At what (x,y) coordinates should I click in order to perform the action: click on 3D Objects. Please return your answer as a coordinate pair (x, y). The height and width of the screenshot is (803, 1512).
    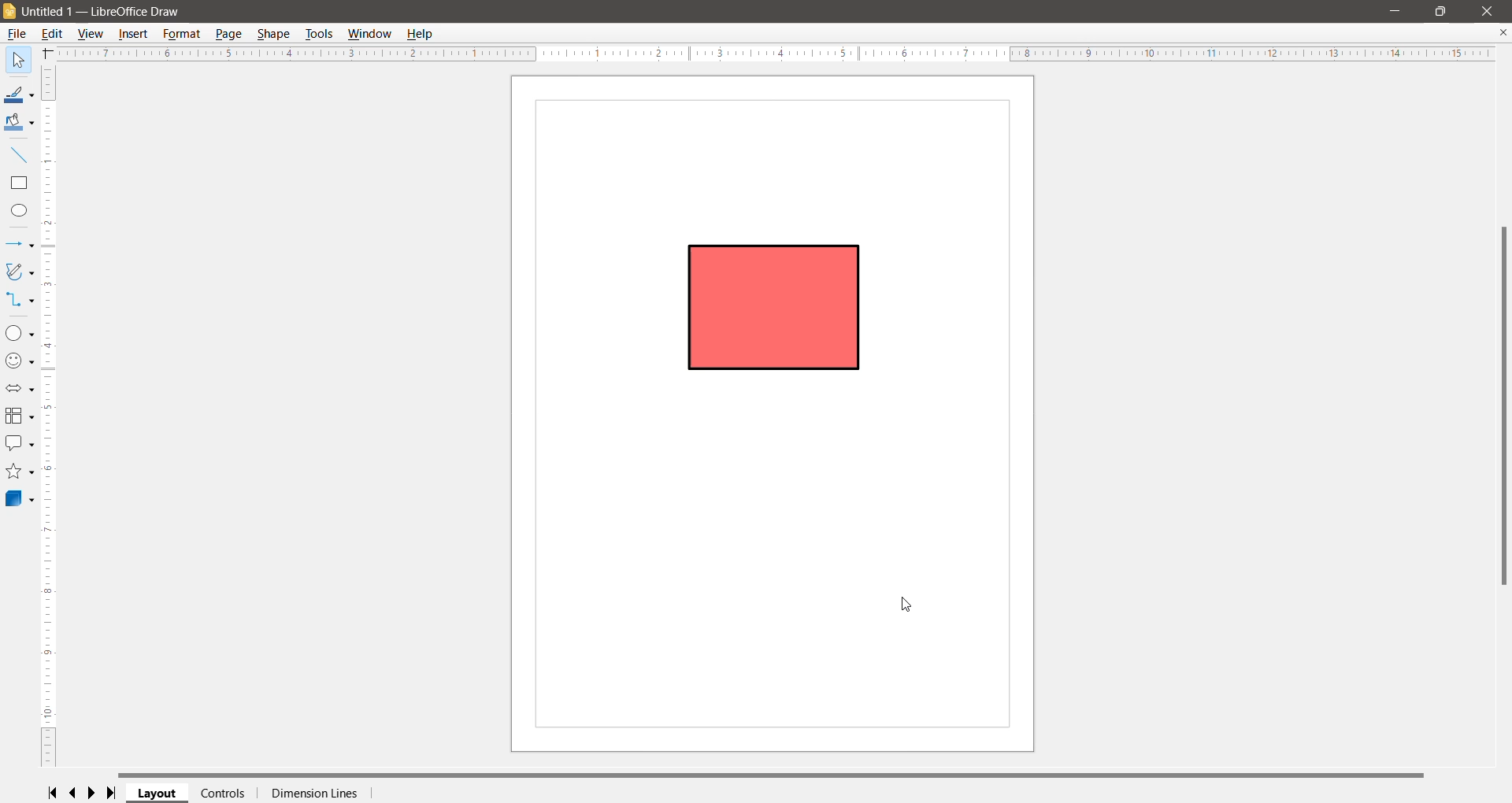
    Looking at the image, I should click on (20, 498).